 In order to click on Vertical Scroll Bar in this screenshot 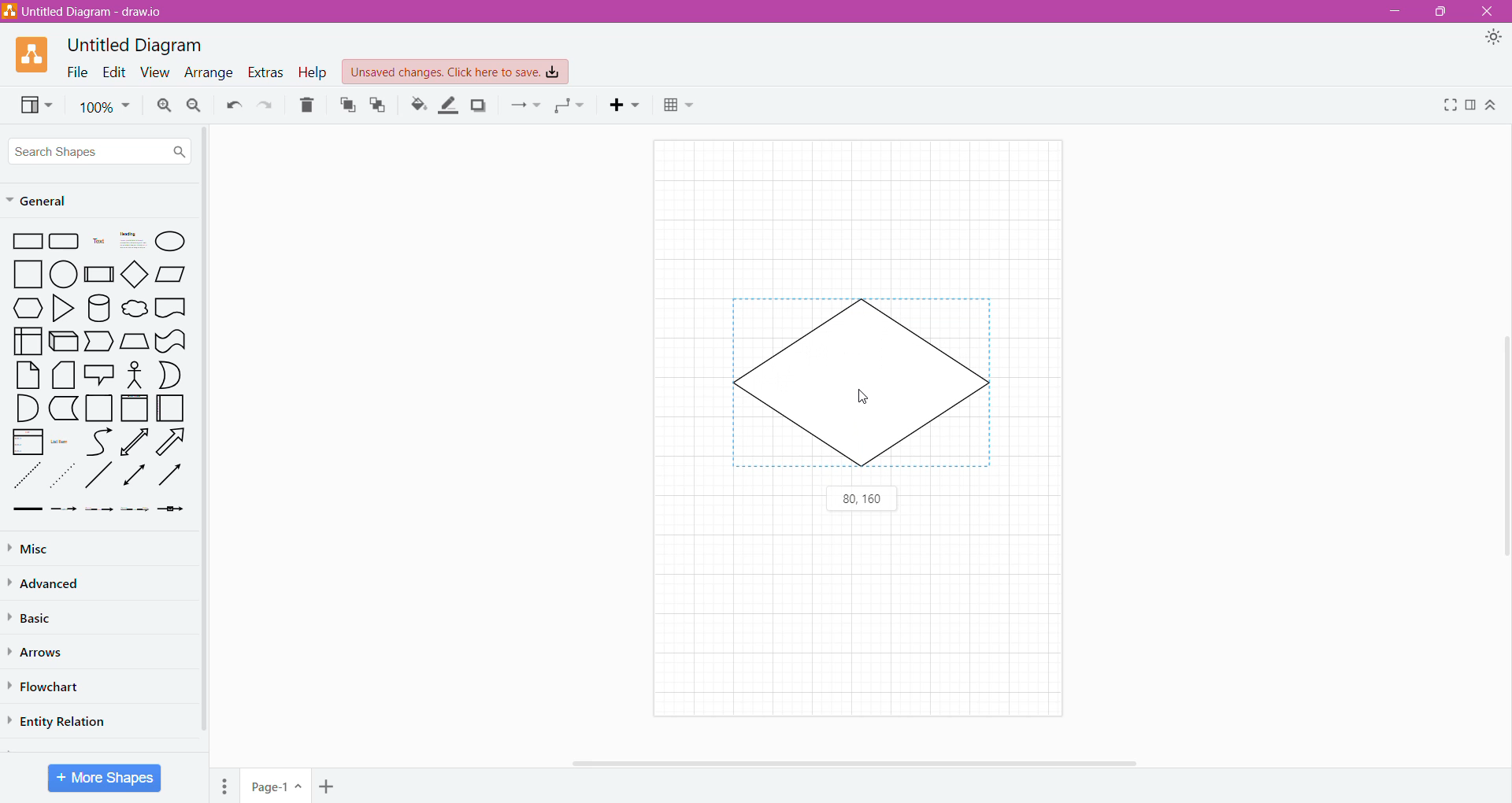, I will do `click(204, 434)`.